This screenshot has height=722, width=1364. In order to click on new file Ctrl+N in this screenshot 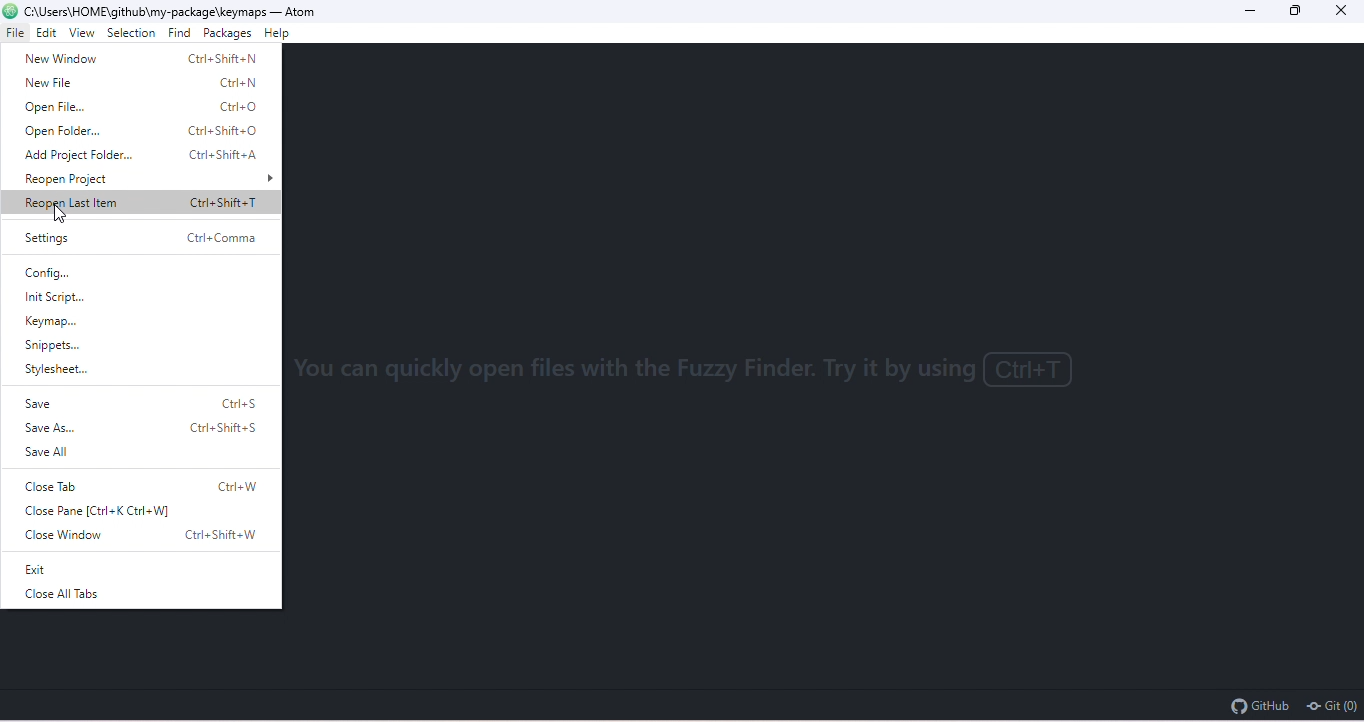, I will do `click(142, 82)`.